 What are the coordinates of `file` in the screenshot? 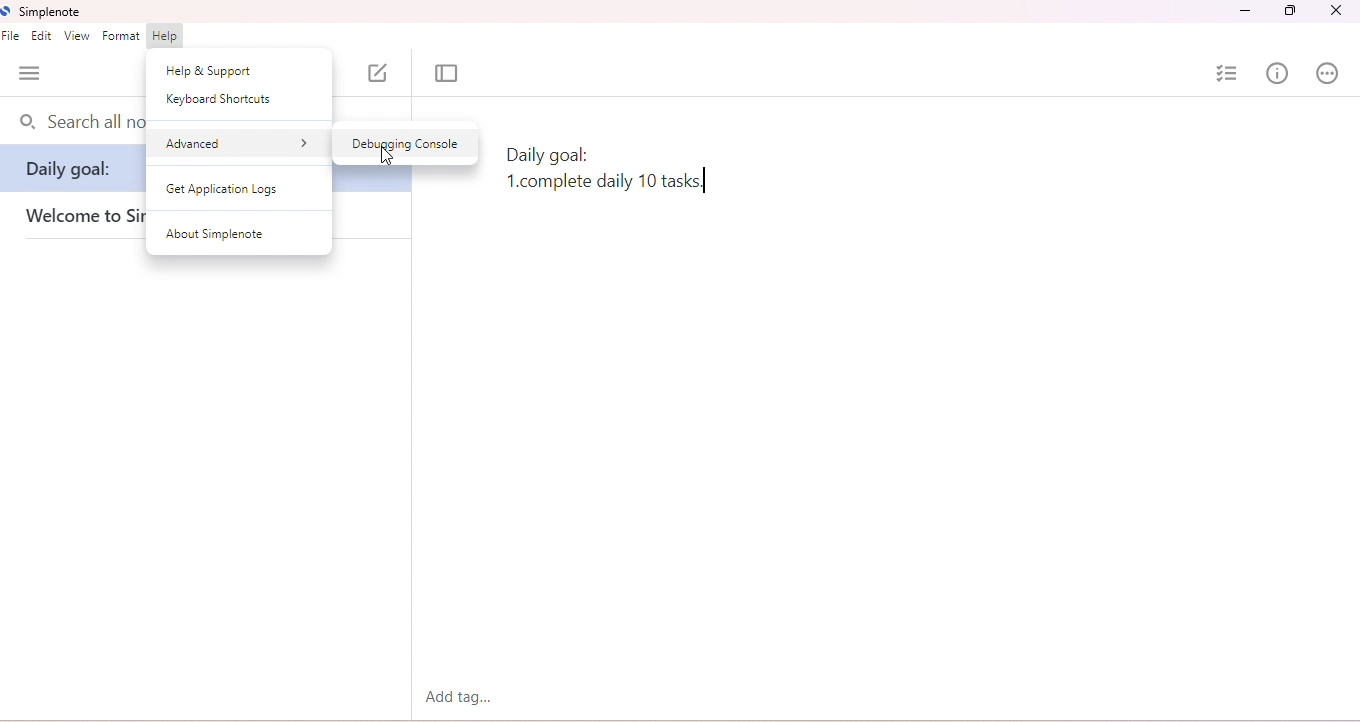 It's located at (13, 37).